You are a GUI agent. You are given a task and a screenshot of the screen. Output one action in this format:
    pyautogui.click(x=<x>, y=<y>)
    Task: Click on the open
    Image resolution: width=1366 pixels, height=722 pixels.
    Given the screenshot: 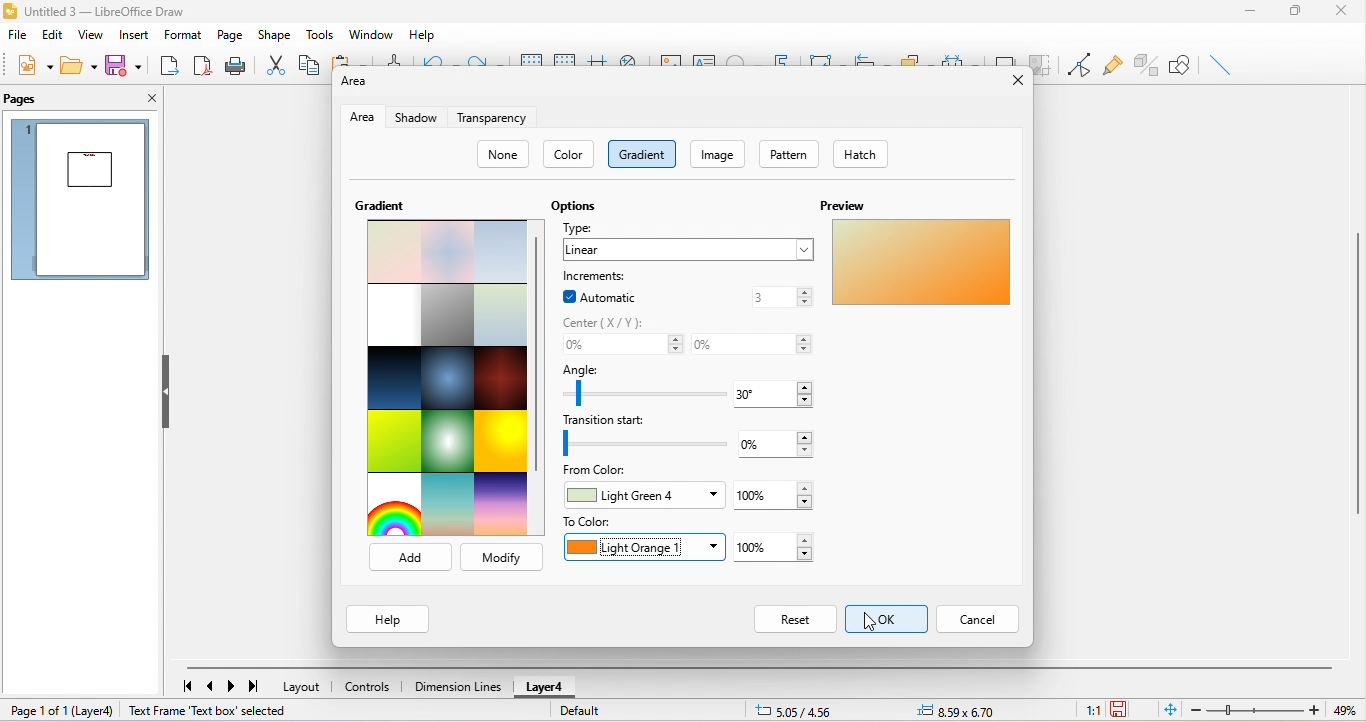 What is the action you would take?
    pyautogui.click(x=81, y=64)
    